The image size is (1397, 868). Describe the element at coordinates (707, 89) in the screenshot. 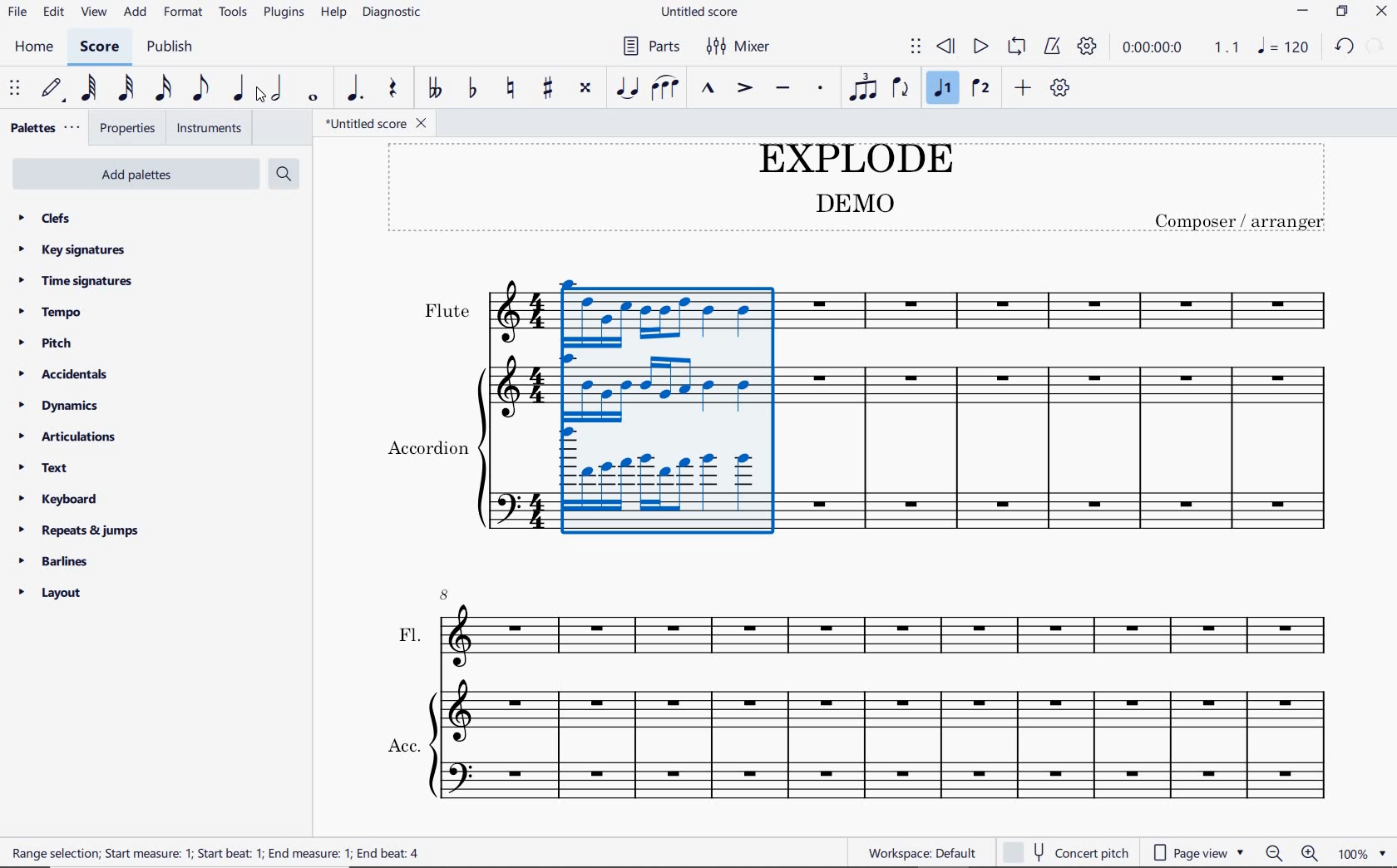

I see `marcato` at that location.